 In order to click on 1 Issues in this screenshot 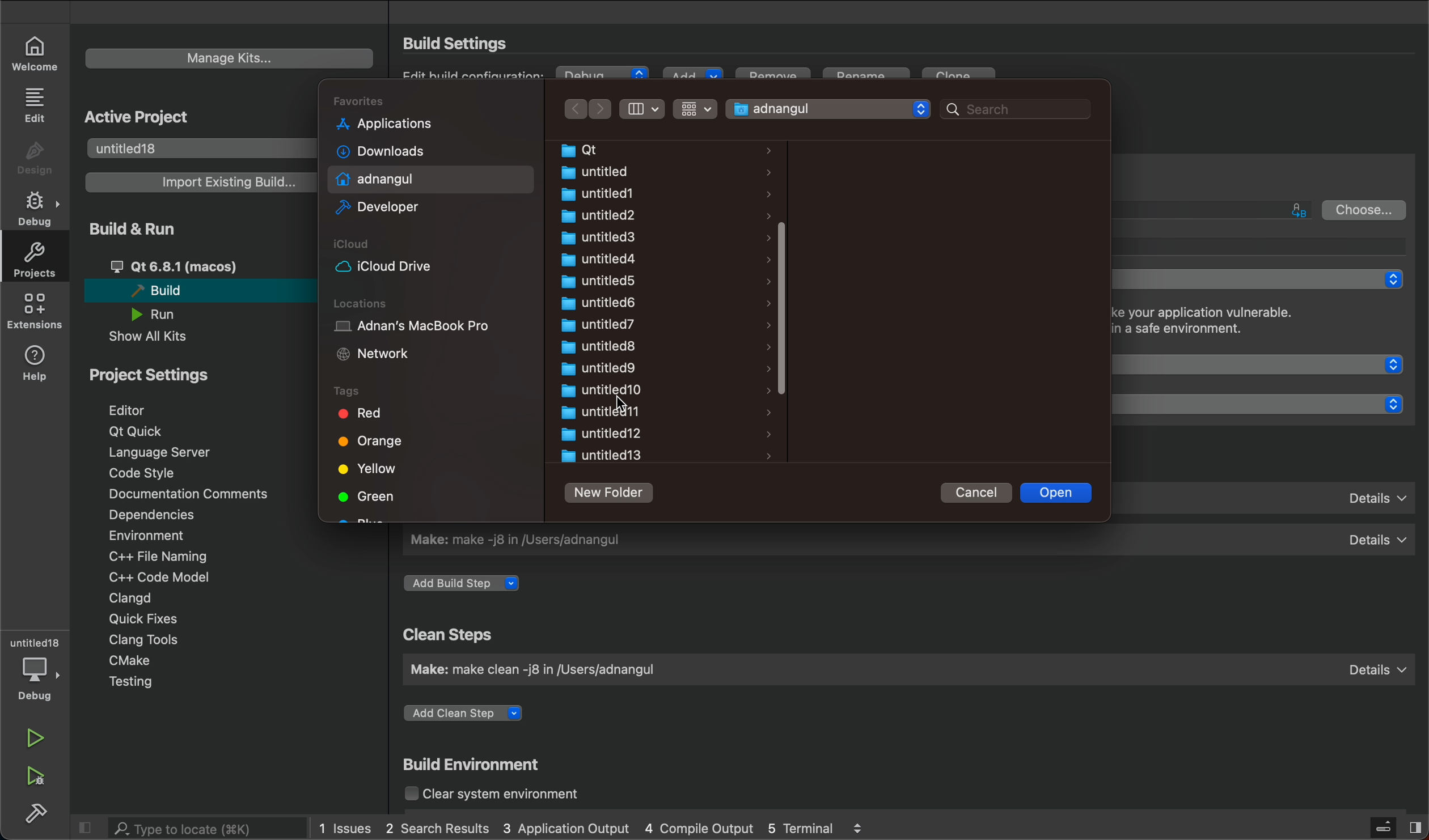, I will do `click(340, 826)`.